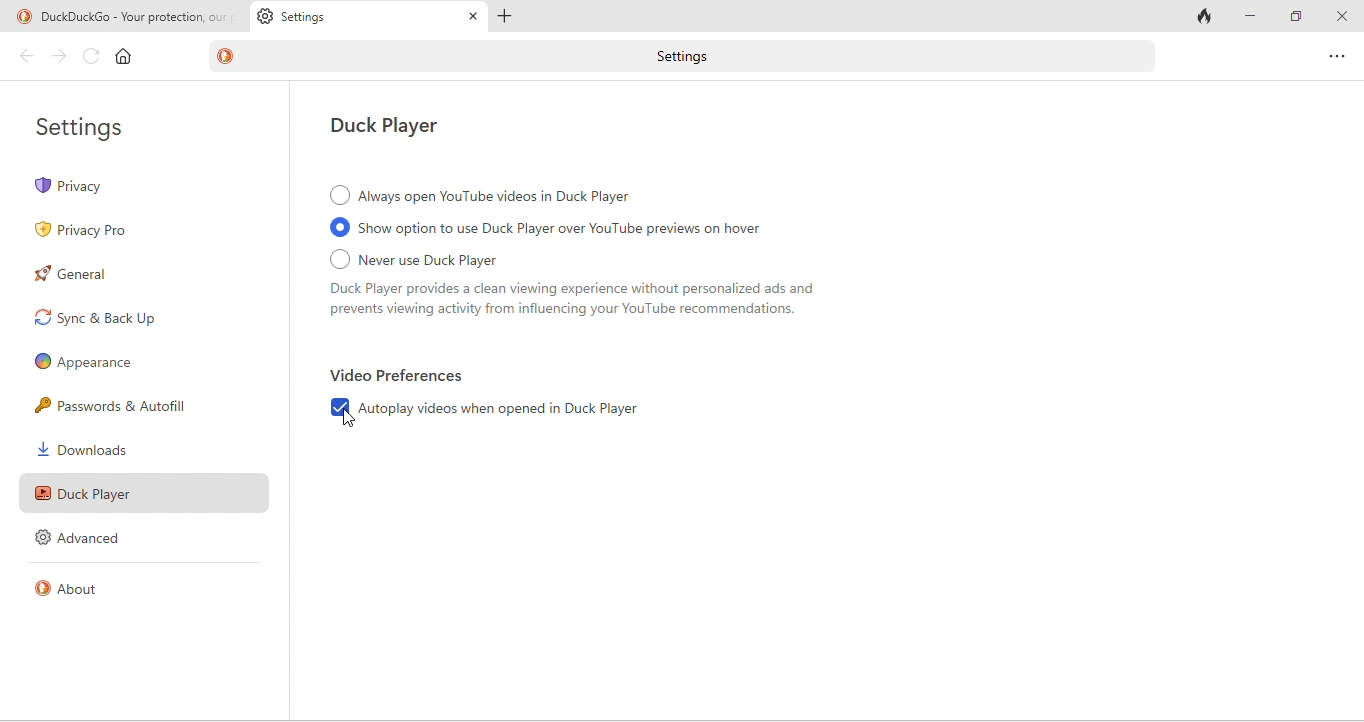 The width and height of the screenshot is (1364, 722). I want to click on appearance, so click(86, 362).